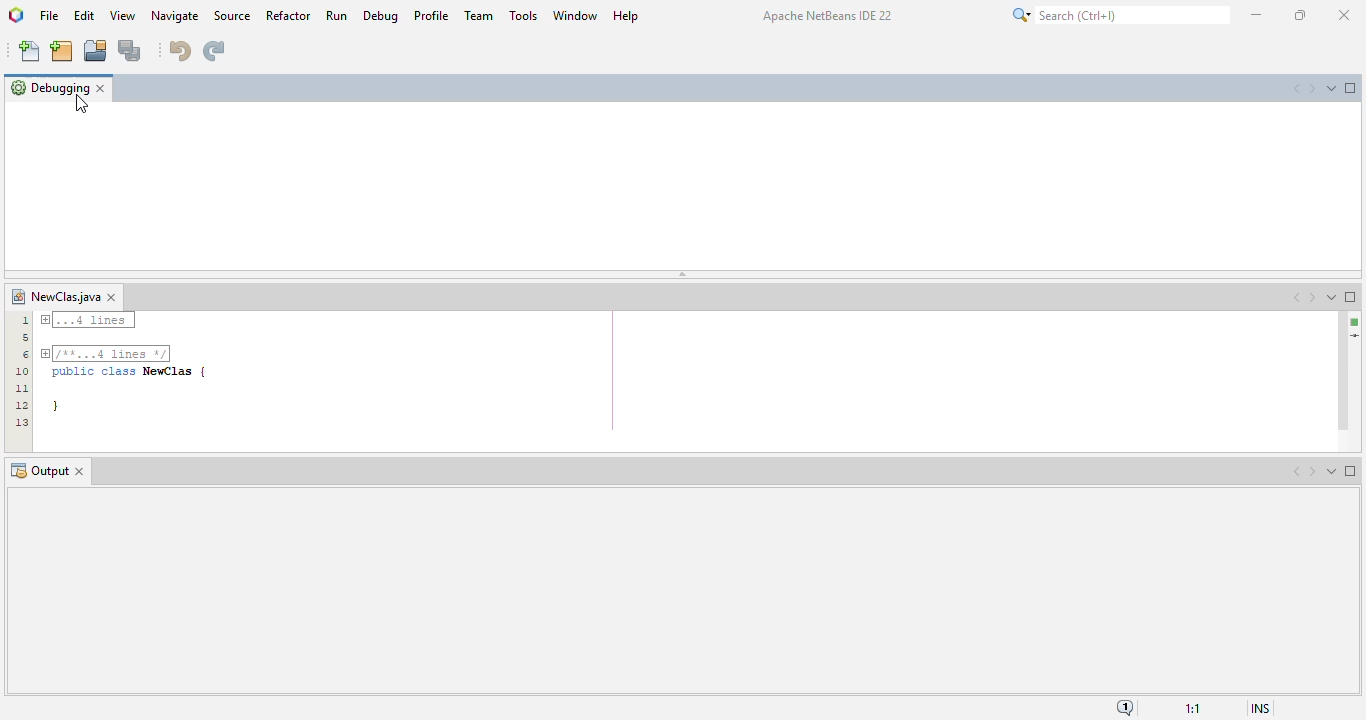  I want to click on show opened documents list, so click(1331, 87).